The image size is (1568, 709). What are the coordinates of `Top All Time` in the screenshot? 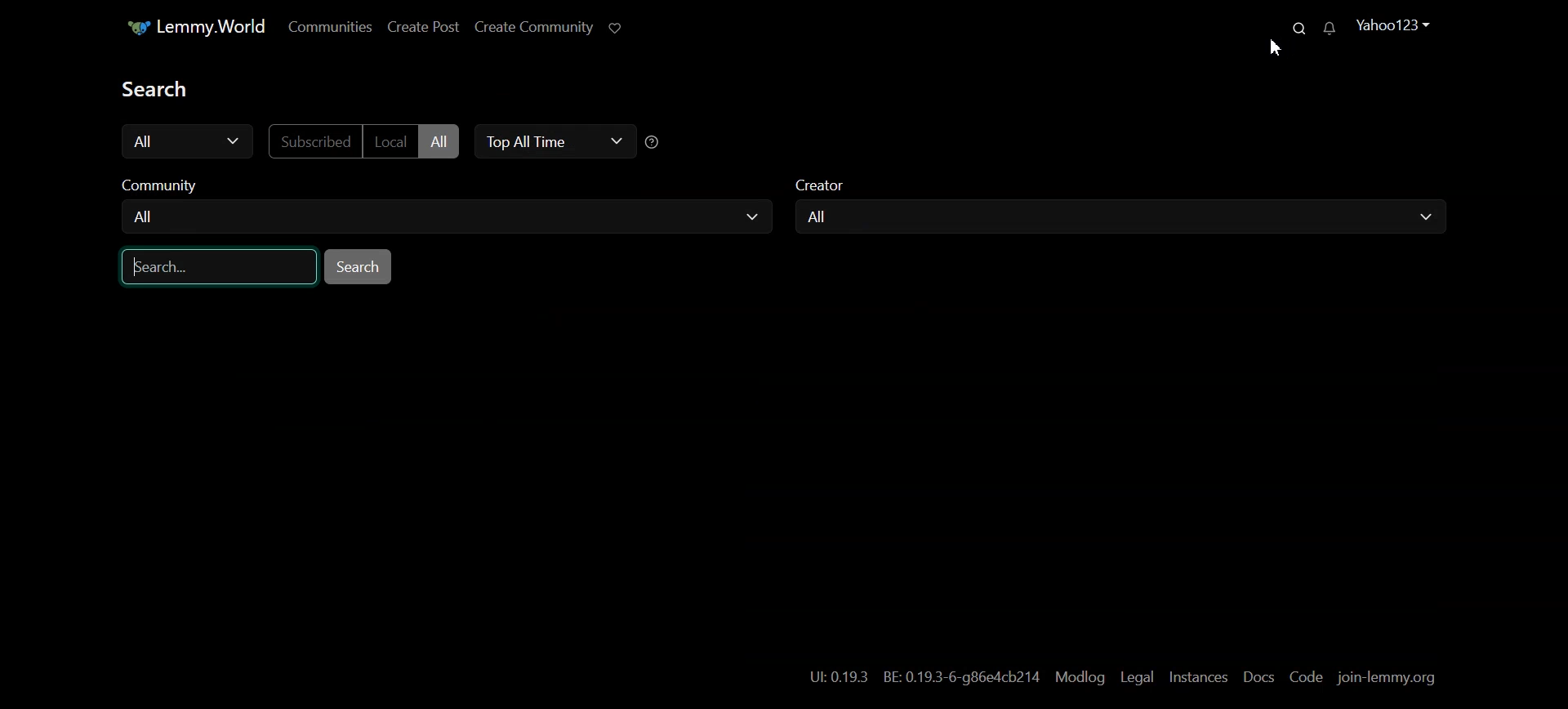 It's located at (554, 143).